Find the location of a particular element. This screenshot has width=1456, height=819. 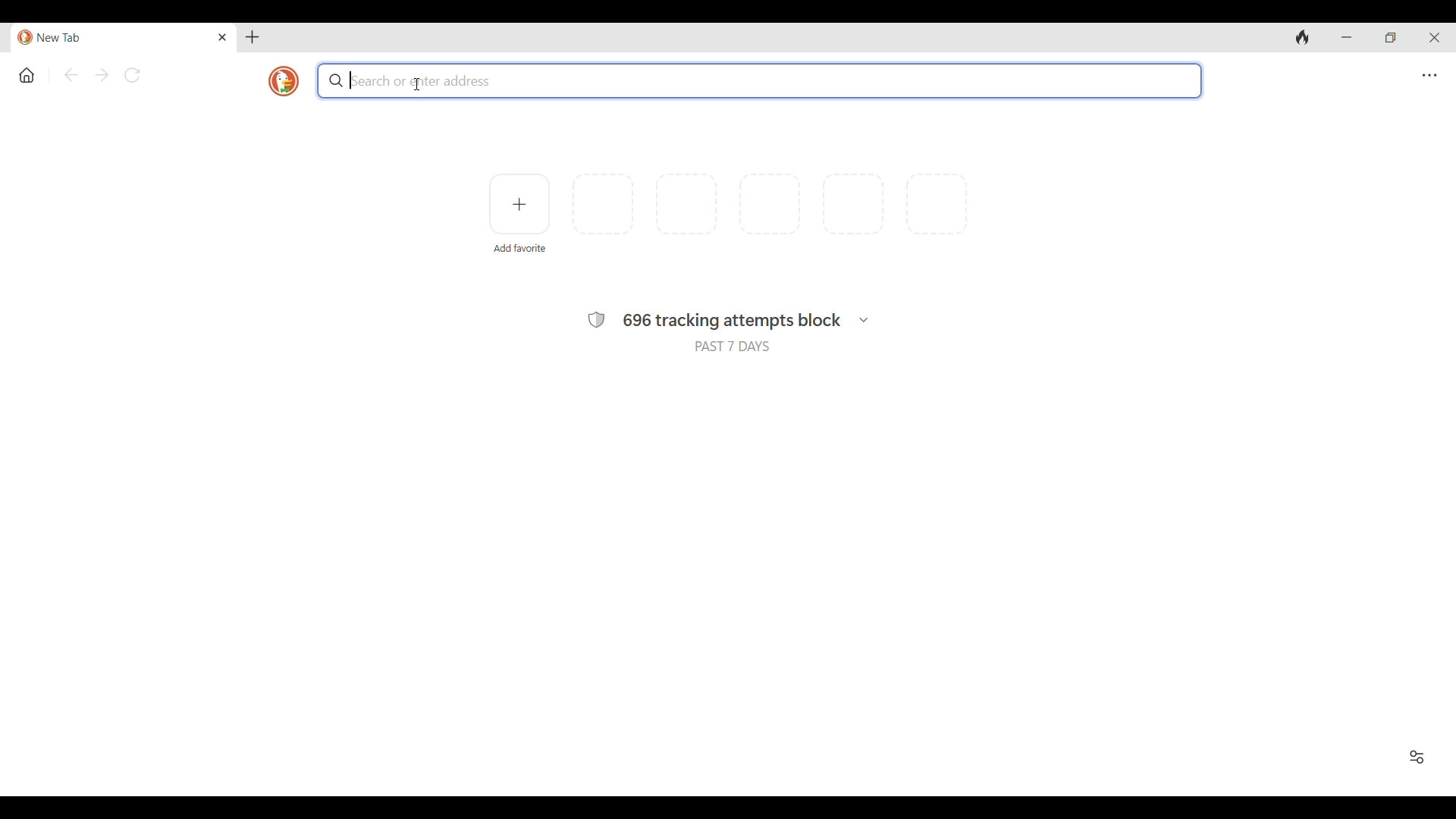

Add favorite is located at coordinates (519, 249).